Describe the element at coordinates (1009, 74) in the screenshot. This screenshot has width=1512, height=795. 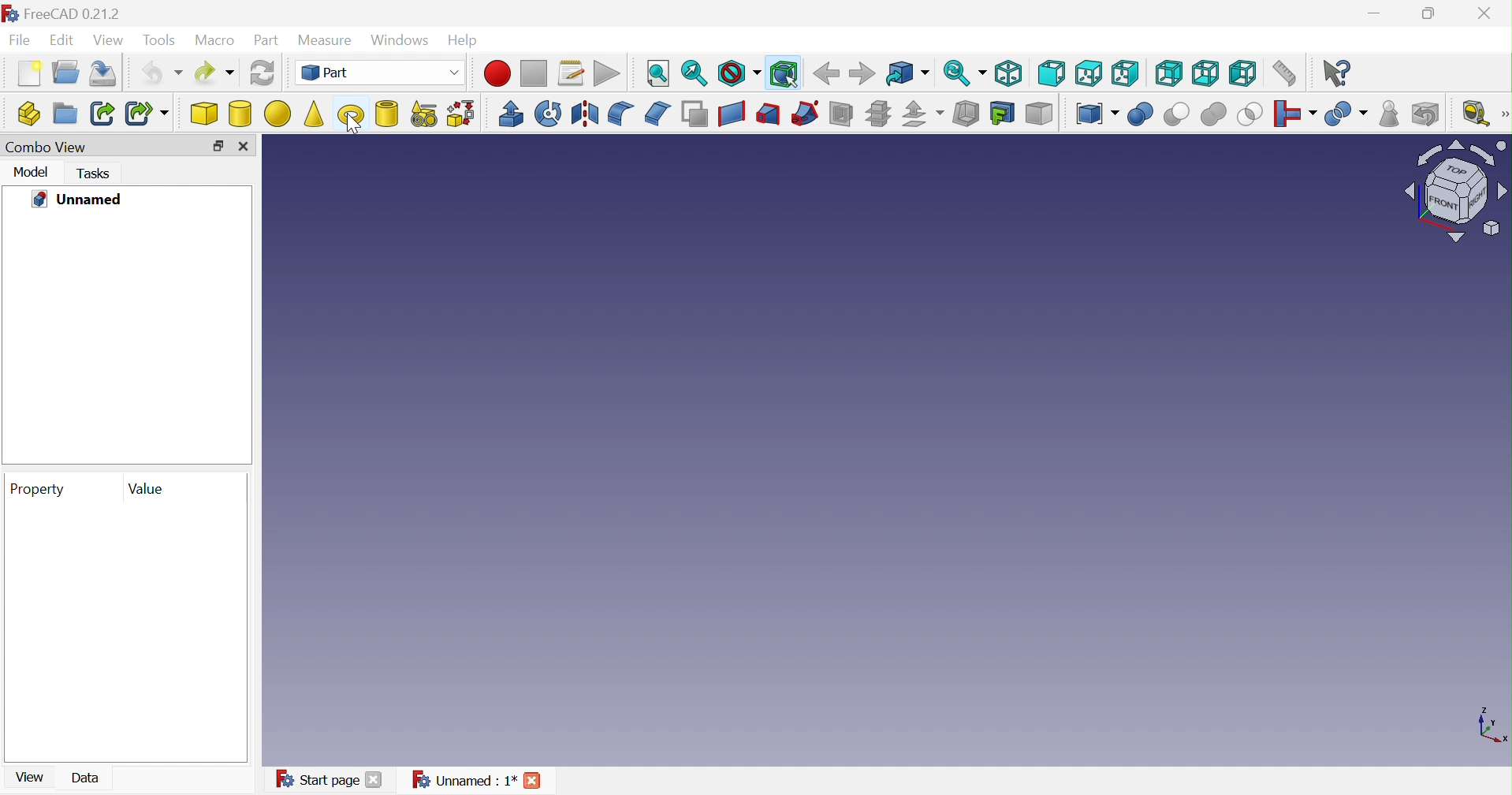
I see `Isometric` at that location.